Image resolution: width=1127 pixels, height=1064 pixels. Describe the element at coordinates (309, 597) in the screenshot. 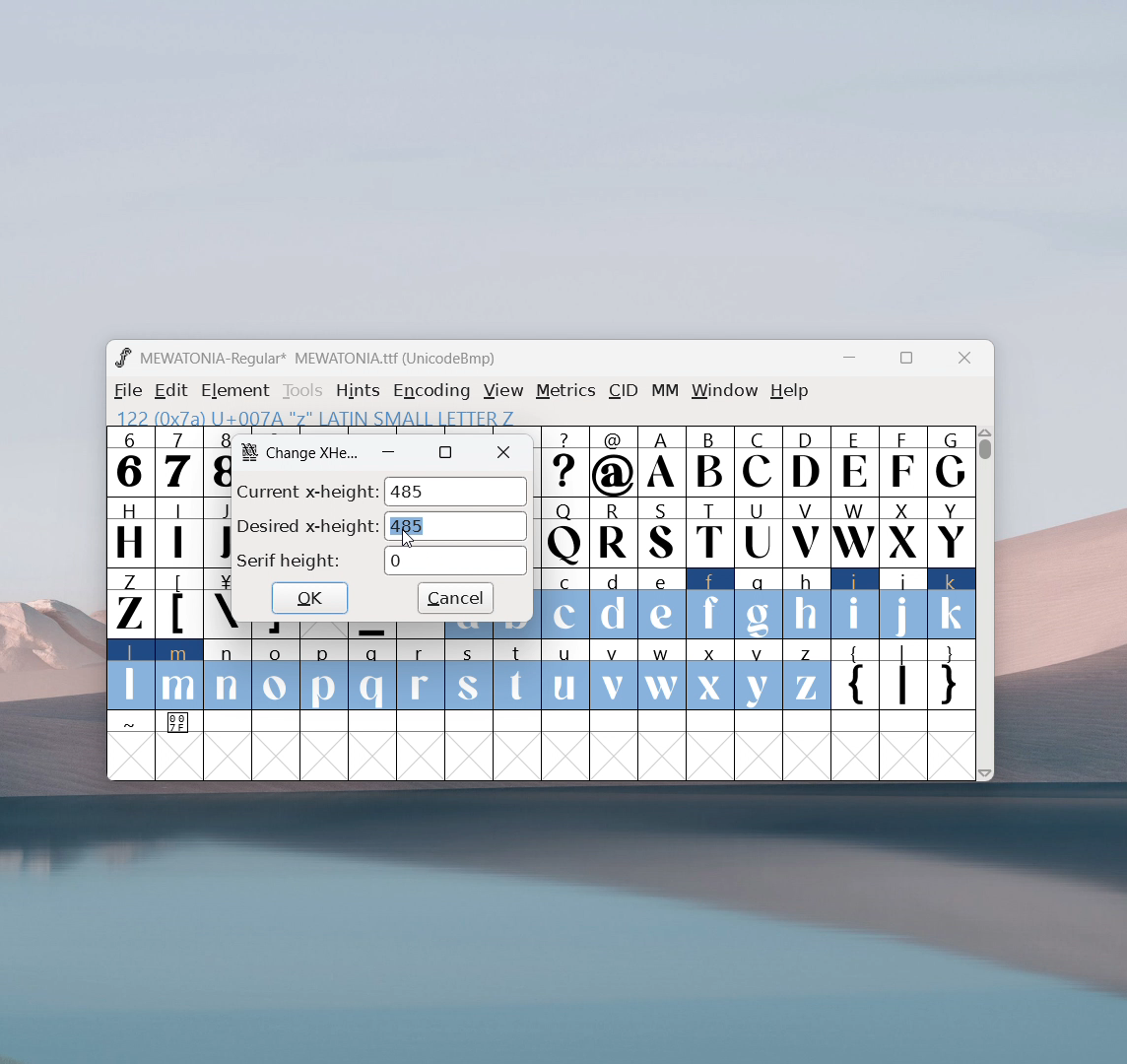

I see `ok` at that location.